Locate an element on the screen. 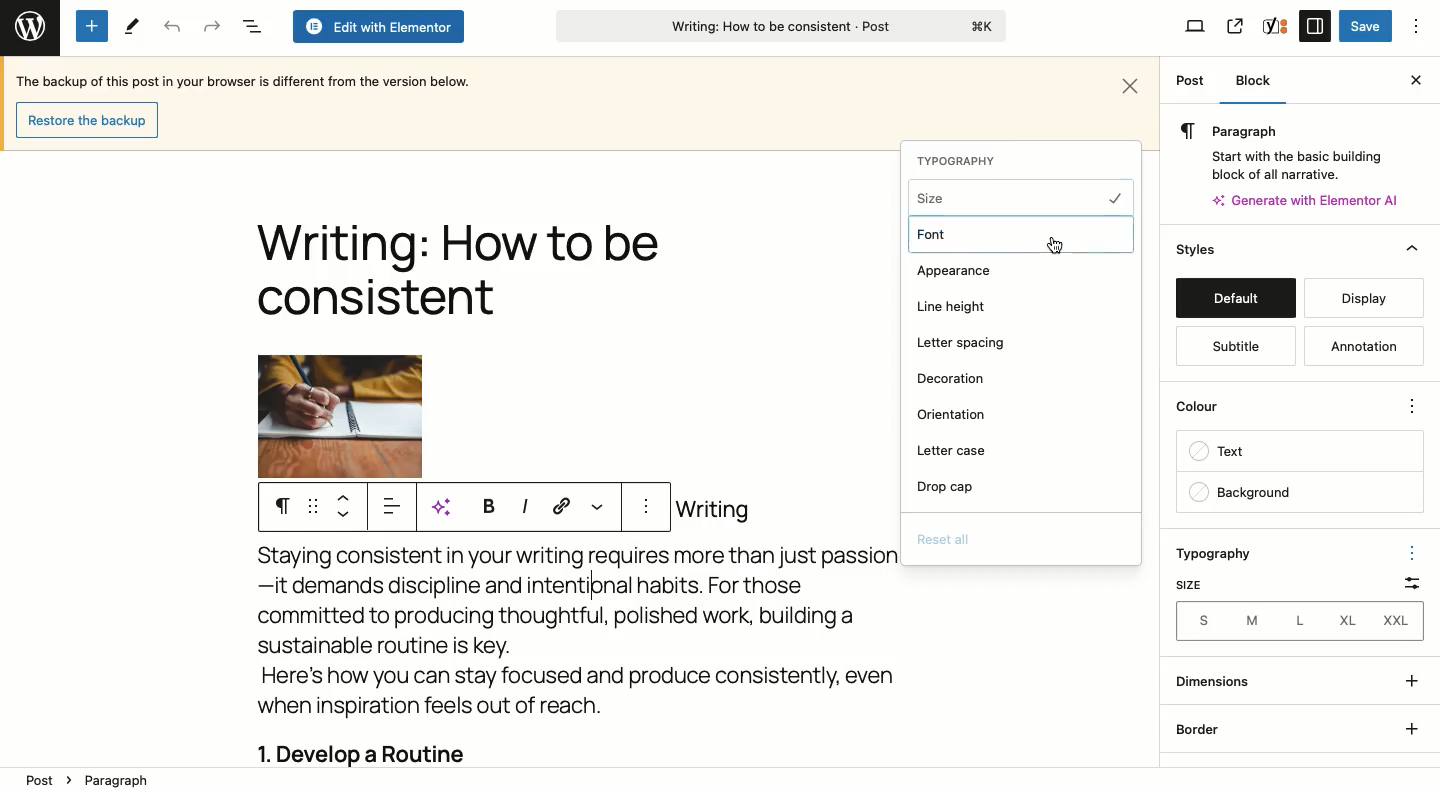  Letter case is located at coordinates (956, 450).